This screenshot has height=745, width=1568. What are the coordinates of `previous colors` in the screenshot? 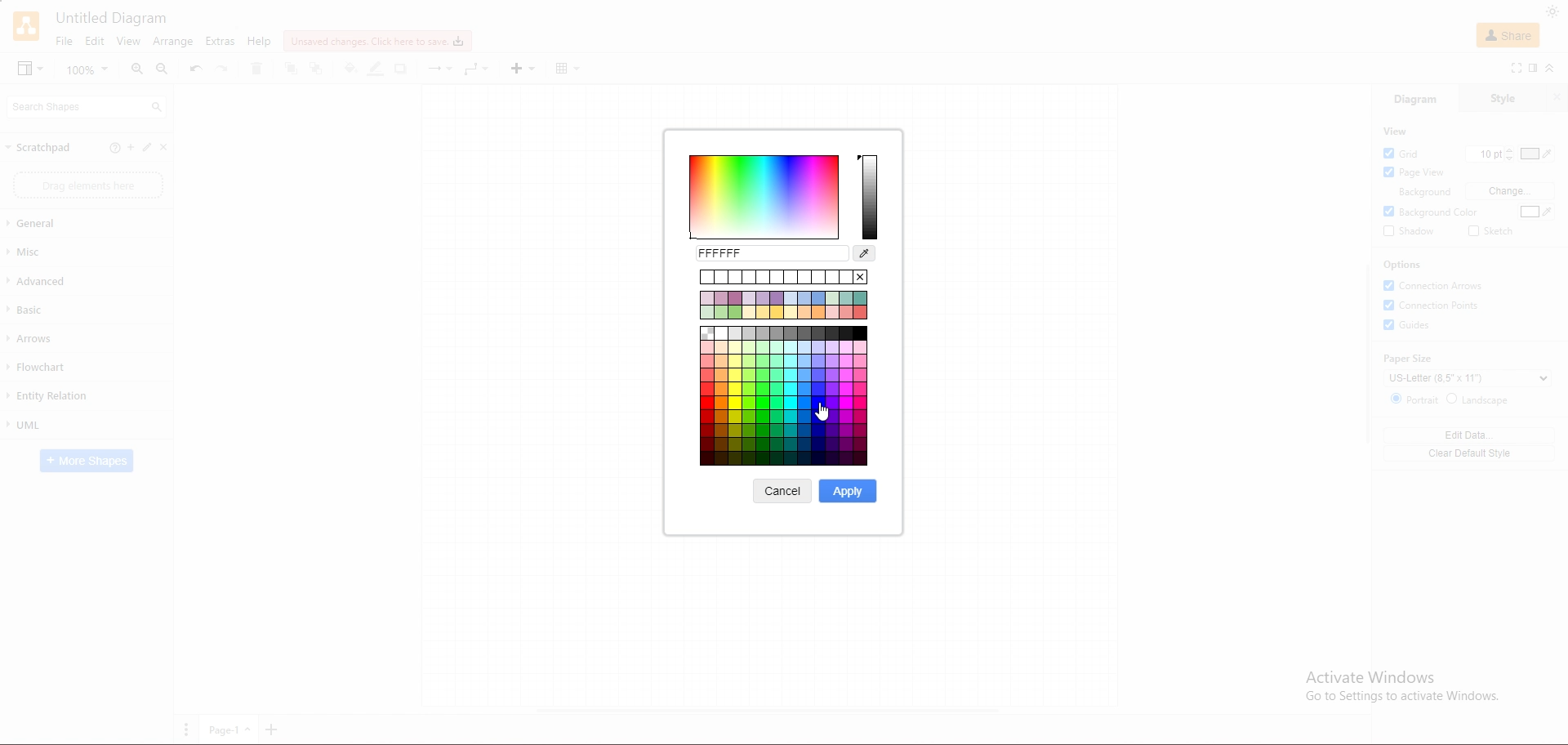 It's located at (784, 276).